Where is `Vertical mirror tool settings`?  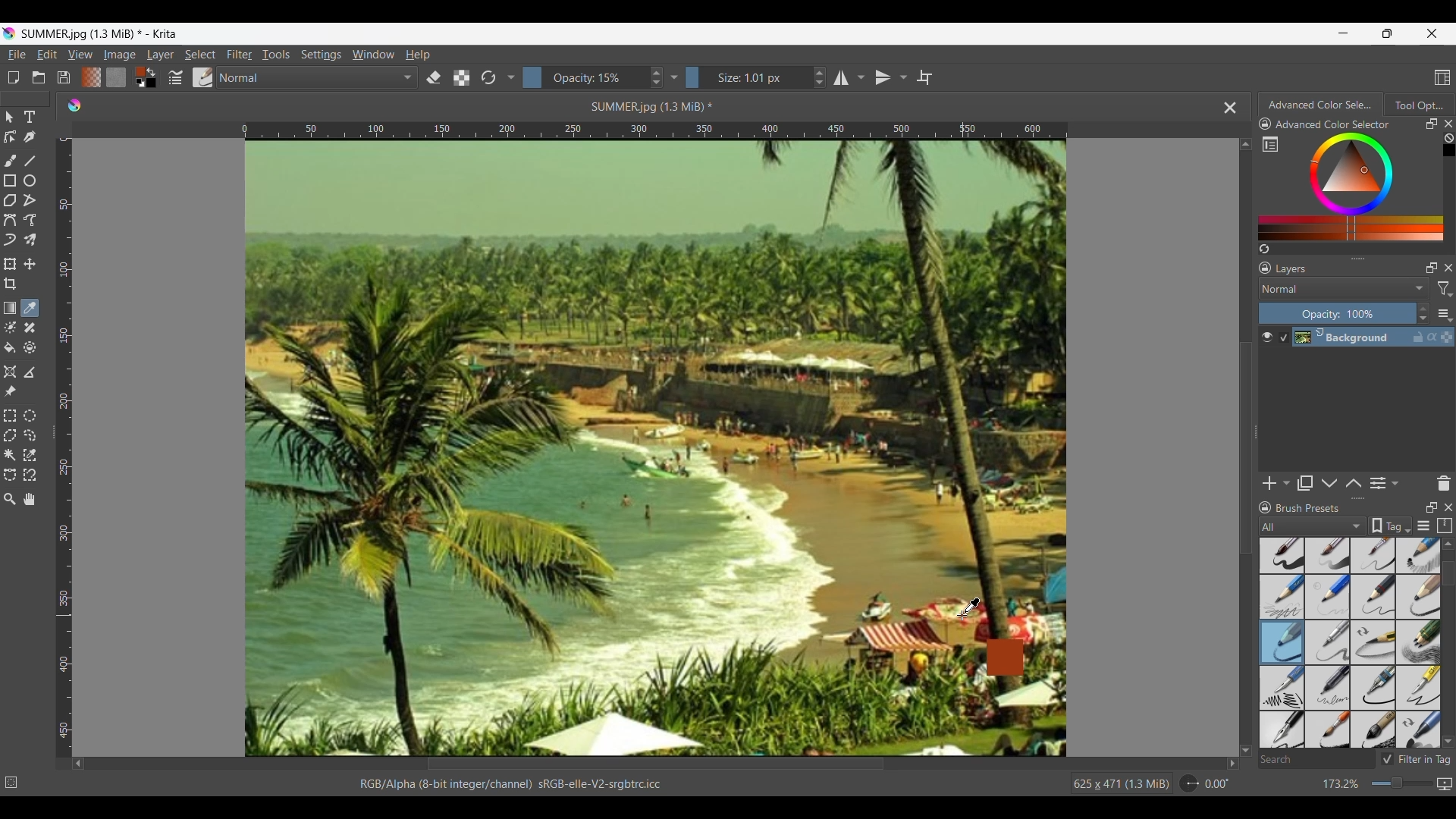 Vertical mirror tool settings is located at coordinates (903, 77).